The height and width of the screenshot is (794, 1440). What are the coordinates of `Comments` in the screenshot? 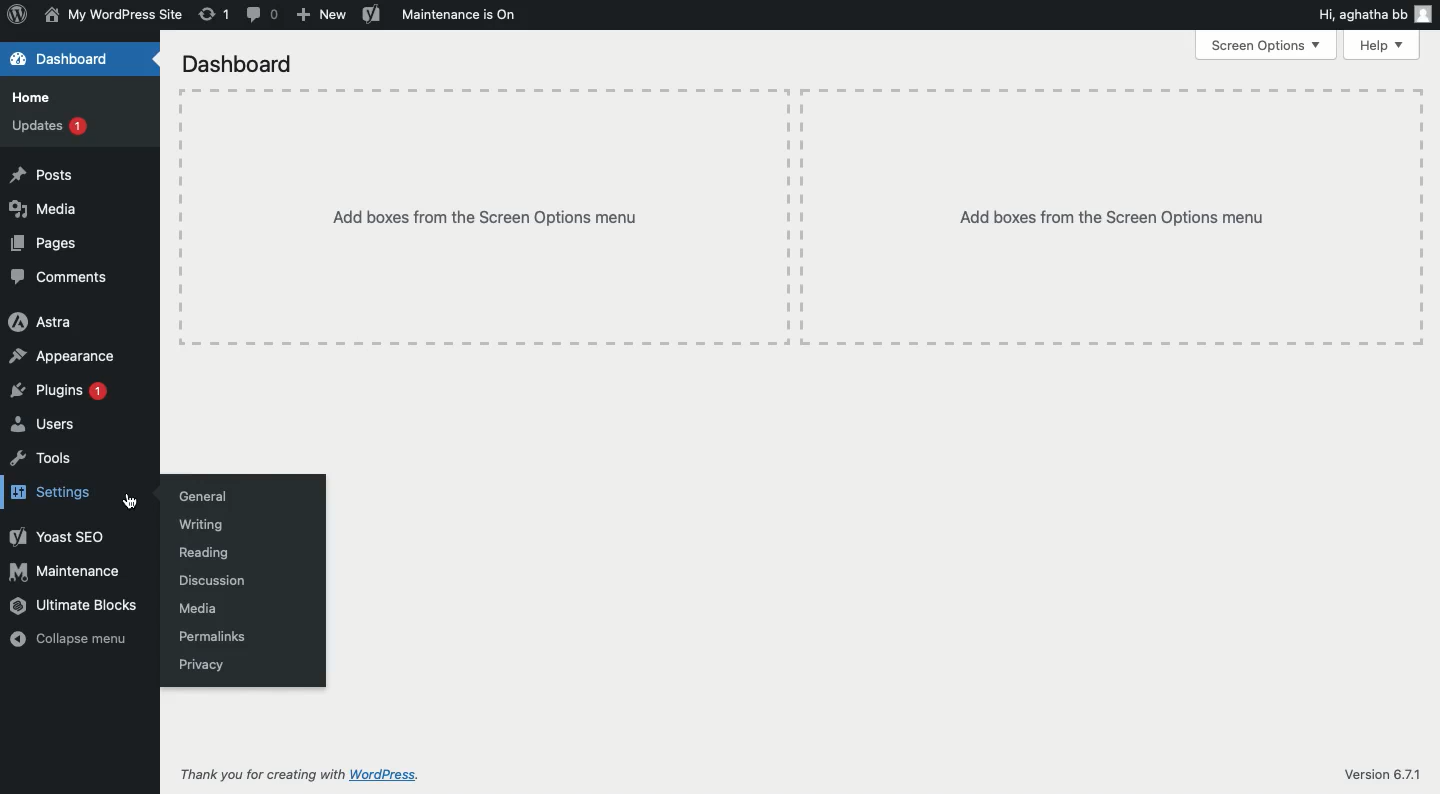 It's located at (60, 277).